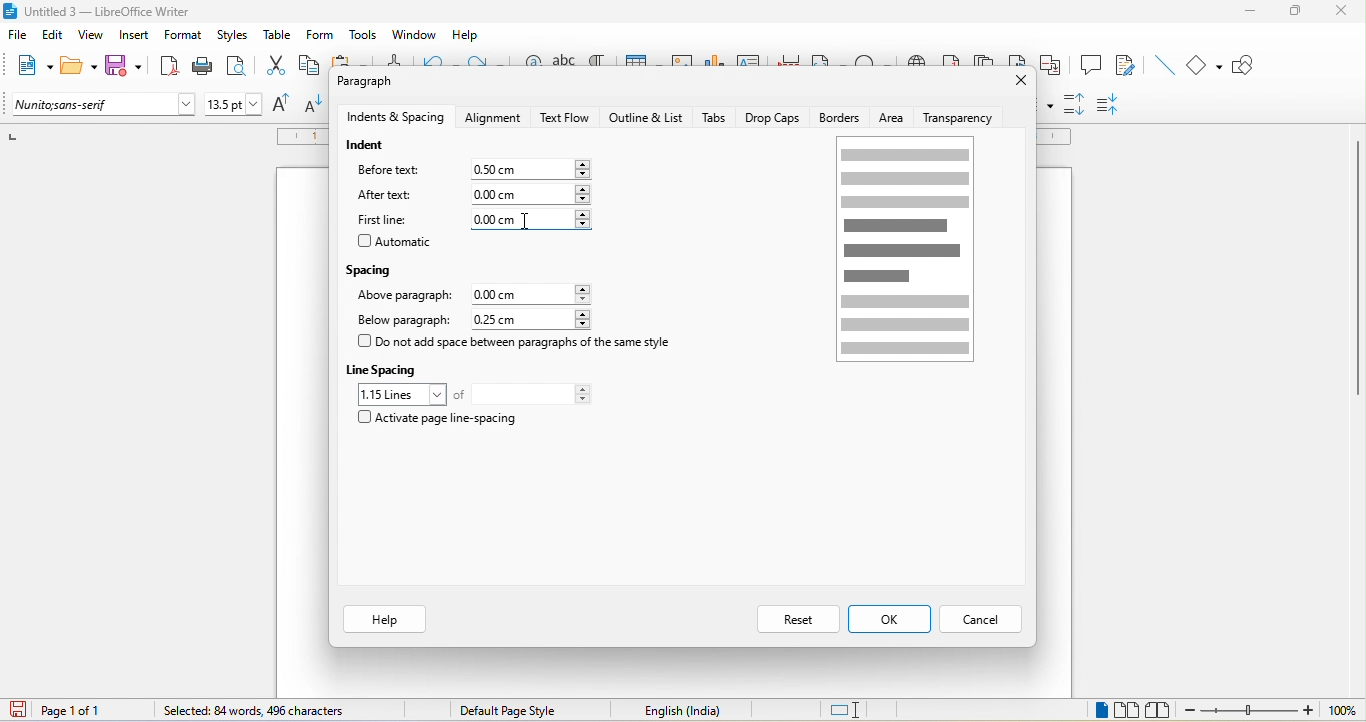  What do you see at coordinates (838, 118) in the screenshot?
I see `borders` at bounding box center [838, 118].